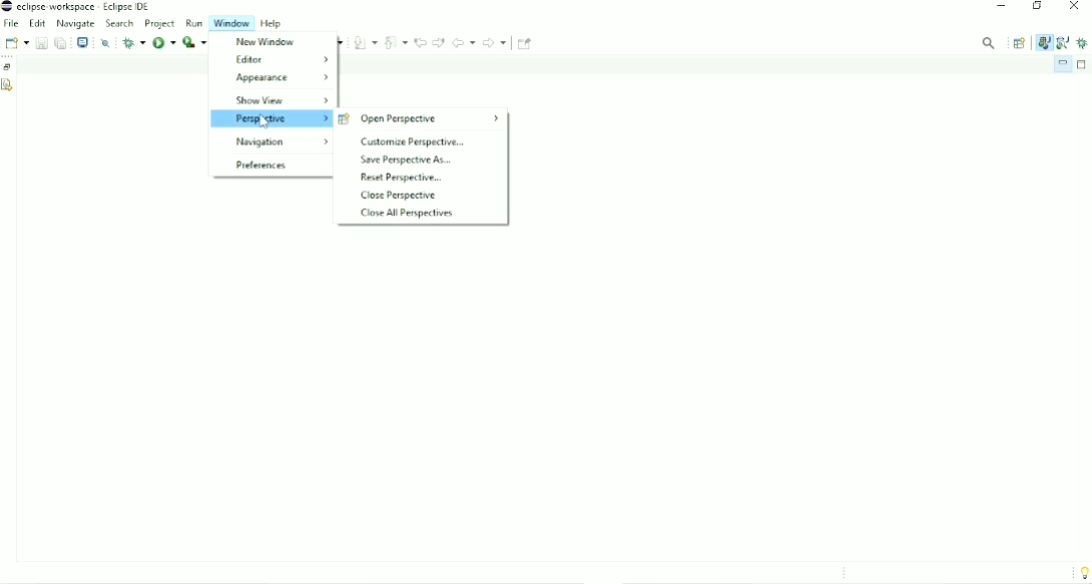 The width and height of the screenshot is (1092, 584). I want to click on Reset Perspective, so click(399, 178).